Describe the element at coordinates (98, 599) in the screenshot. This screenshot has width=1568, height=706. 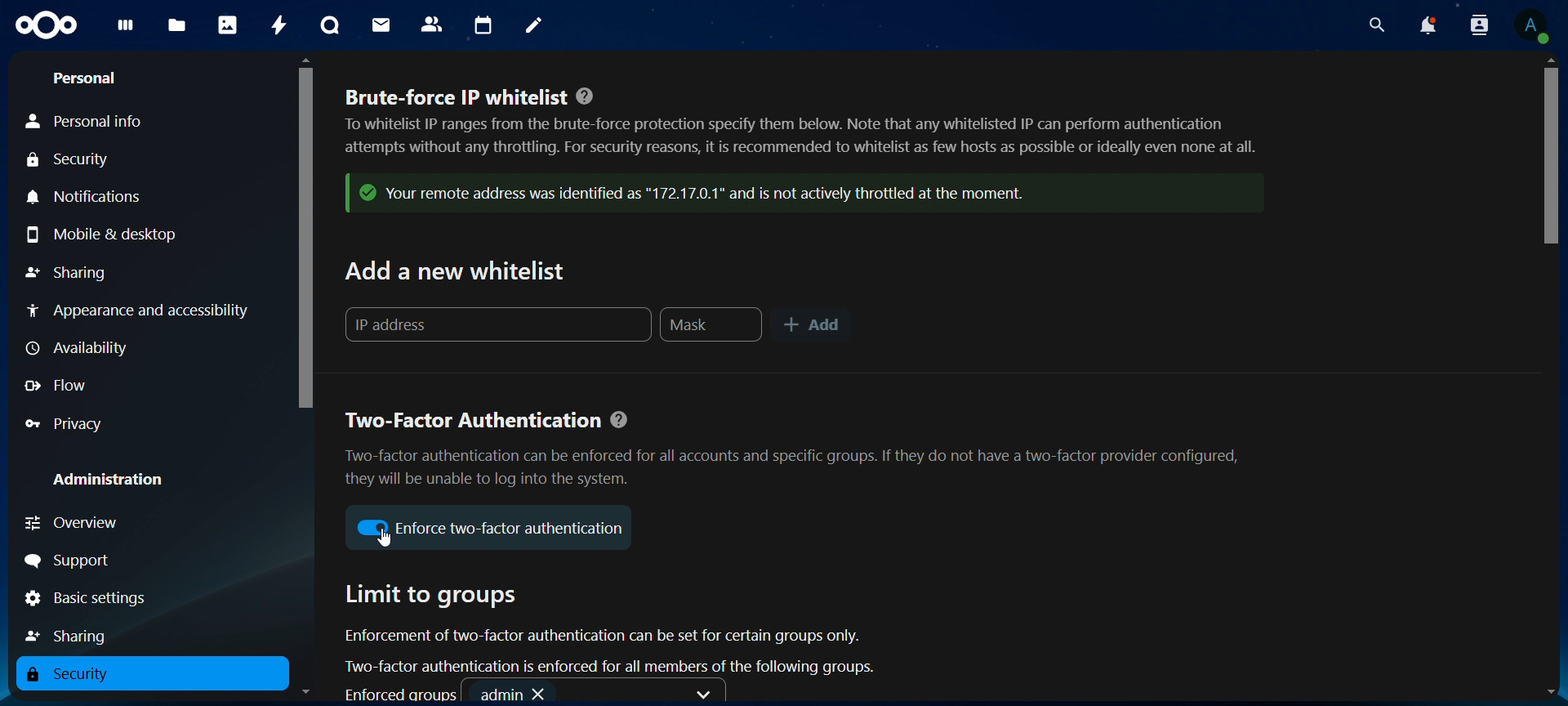
I see `basic settings` at that location.